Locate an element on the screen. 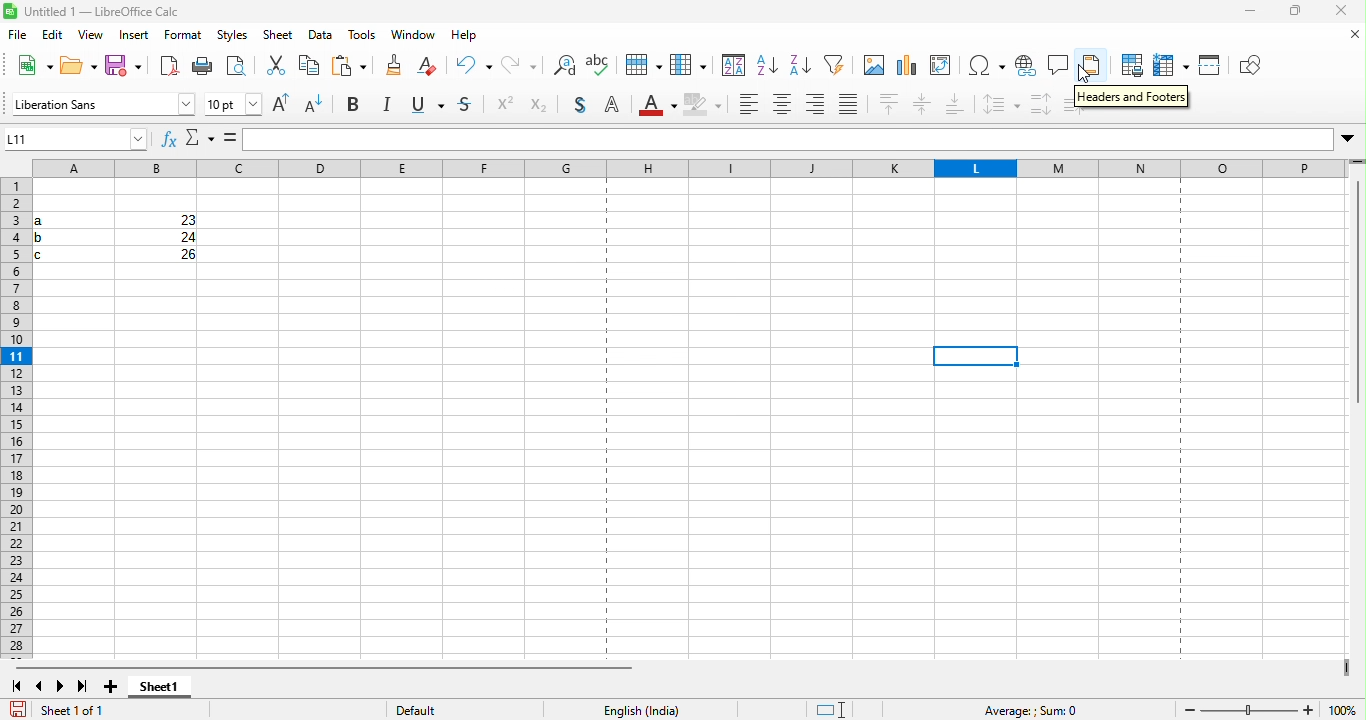 This screenshot has height=720, width=1366. freeze row and column is located at coordinates (1165, 65).